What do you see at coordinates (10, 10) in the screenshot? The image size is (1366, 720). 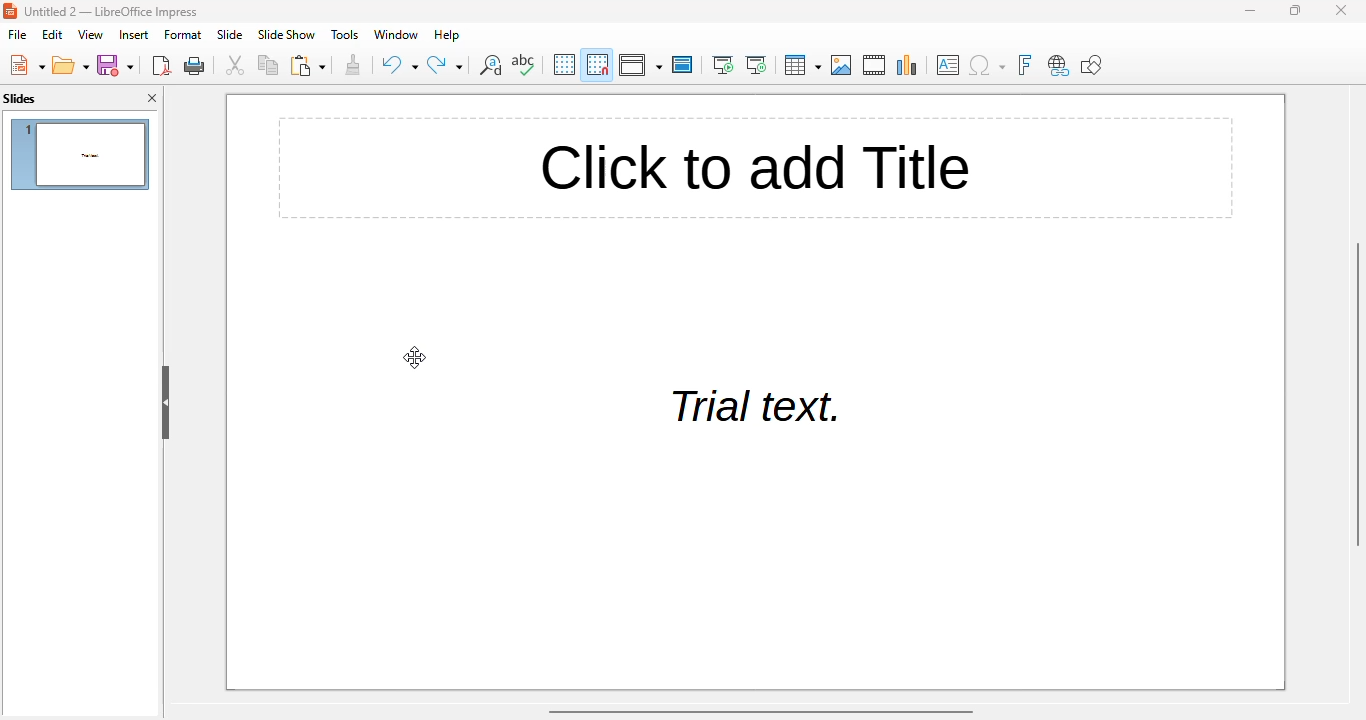 I see `logo` at bounding box center [10, 10].